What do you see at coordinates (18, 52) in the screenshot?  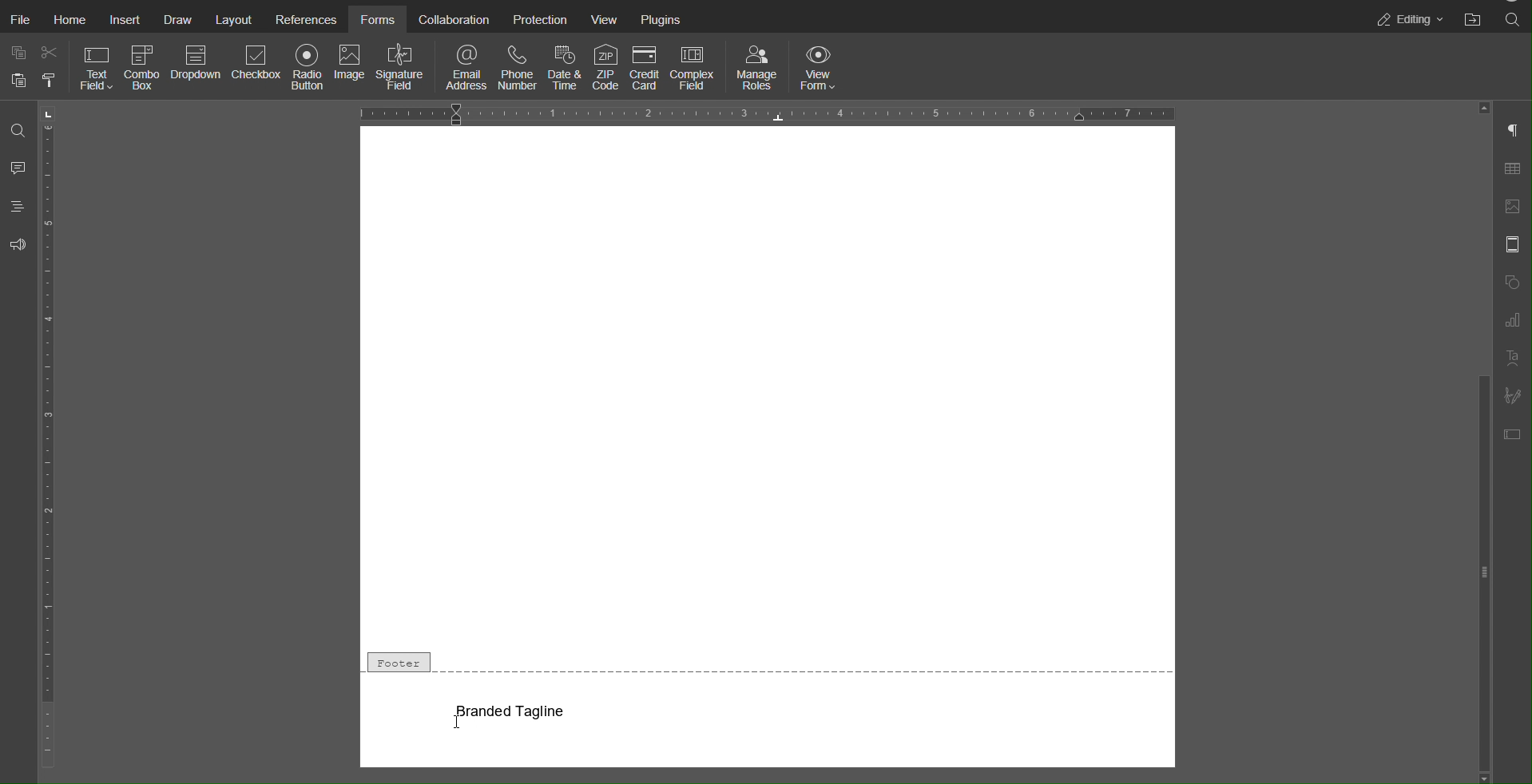 I see `copy` at bounding box center [18, 52].